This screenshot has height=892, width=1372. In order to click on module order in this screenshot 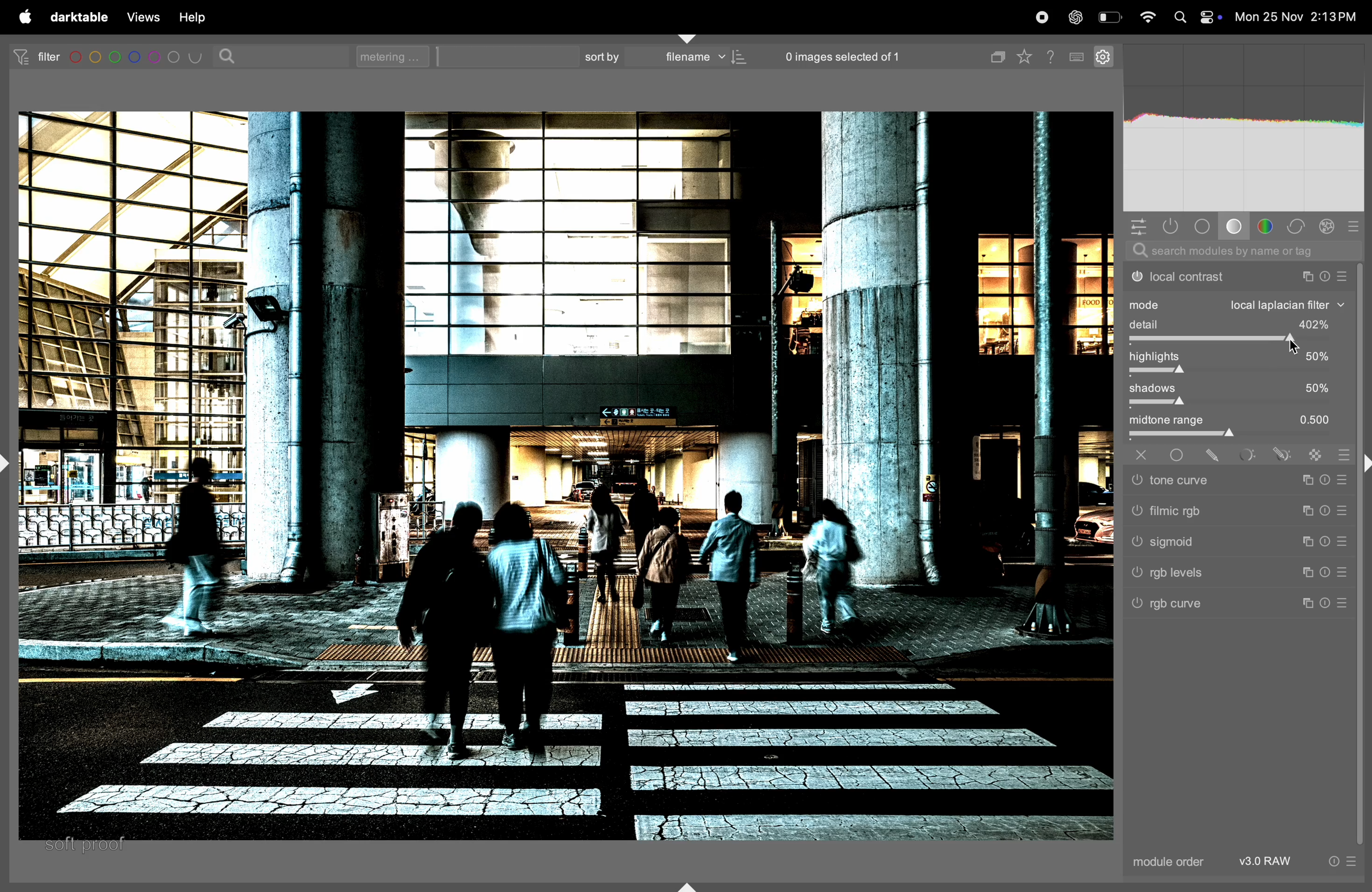, I will do `click(1170, 862)`.